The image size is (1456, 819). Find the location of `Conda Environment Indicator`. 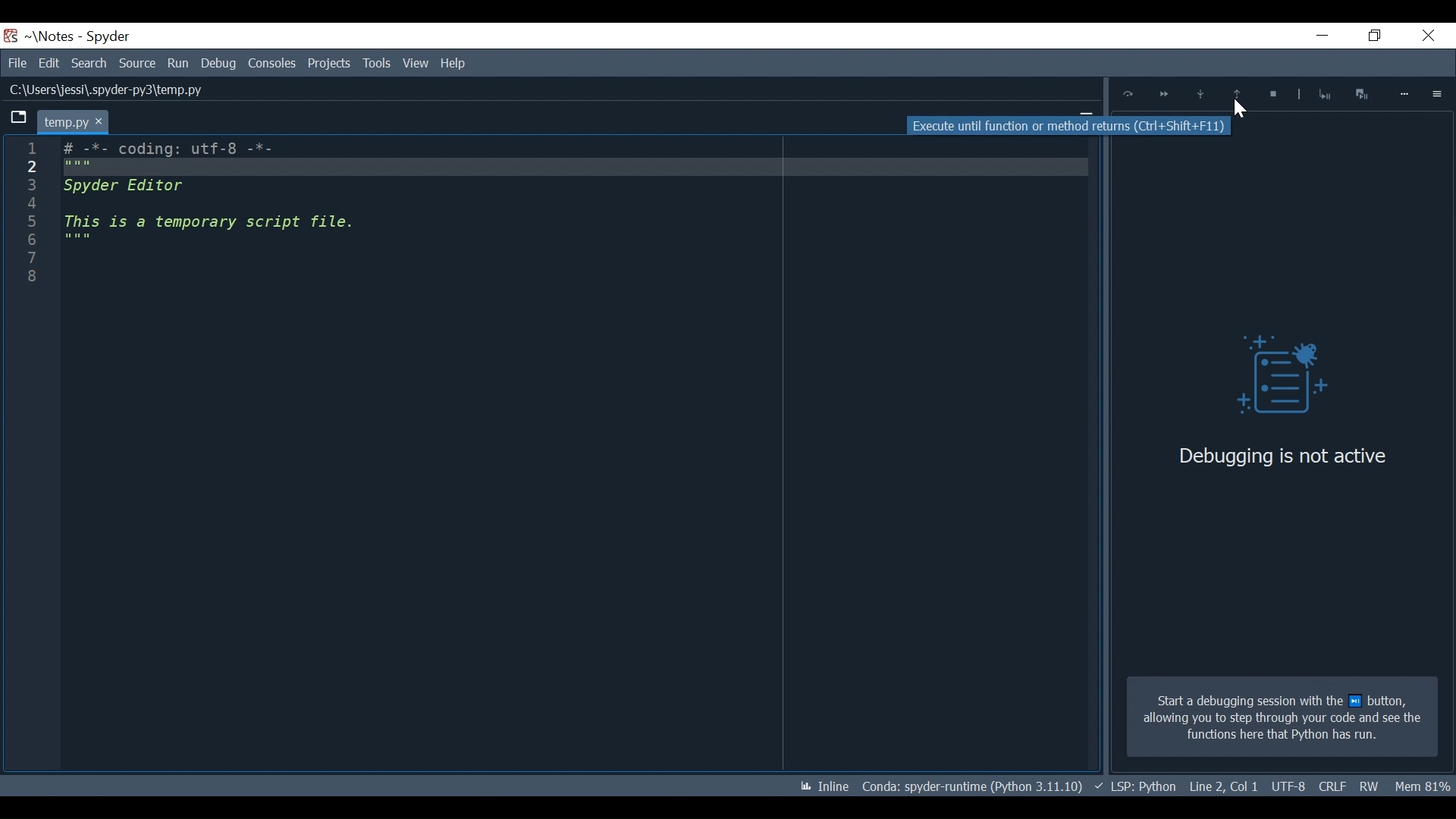

Conda Environment Indicator is located at coordinates (971, 786).